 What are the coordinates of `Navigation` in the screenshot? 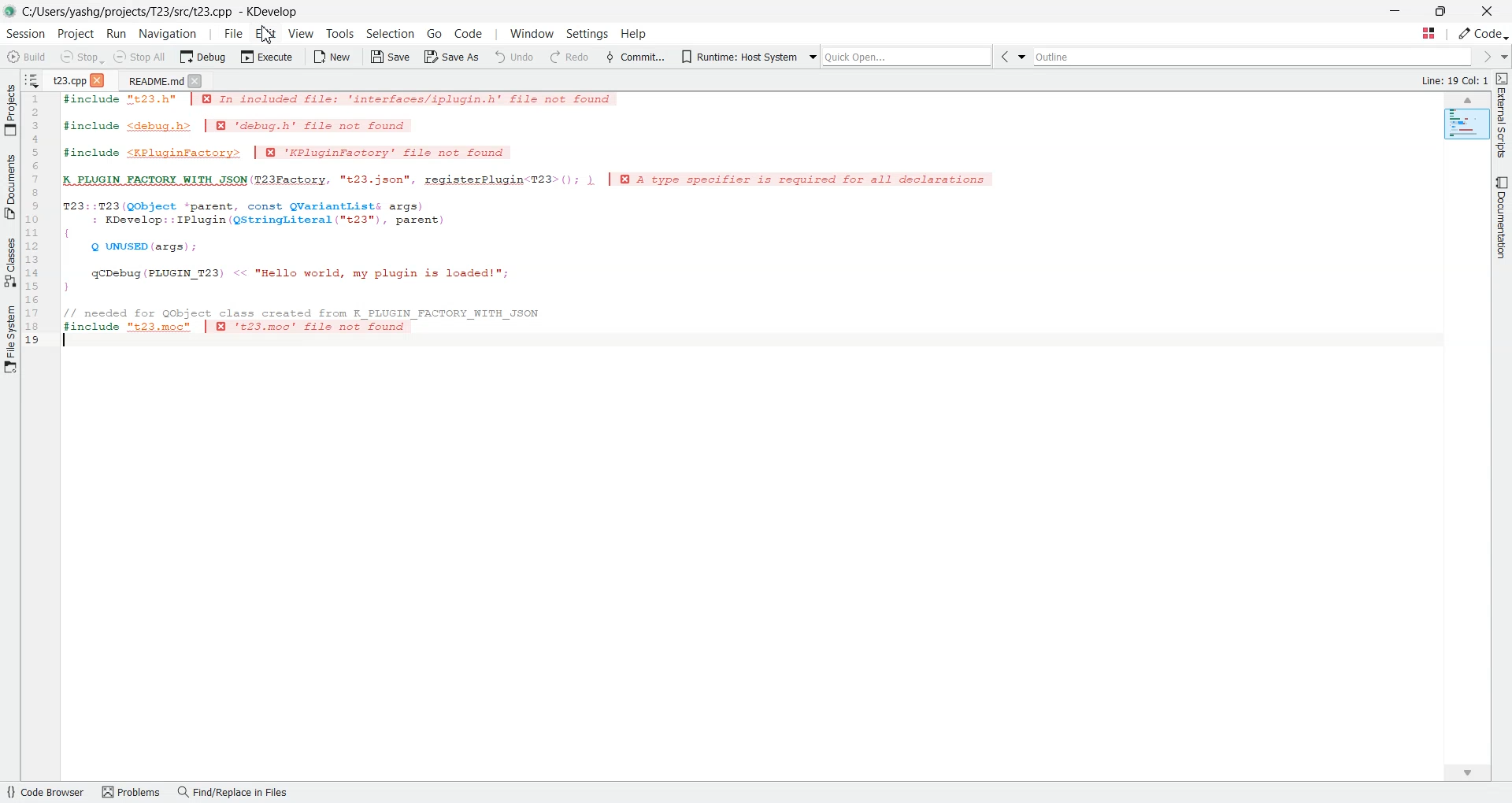 It's located at (167, 33).